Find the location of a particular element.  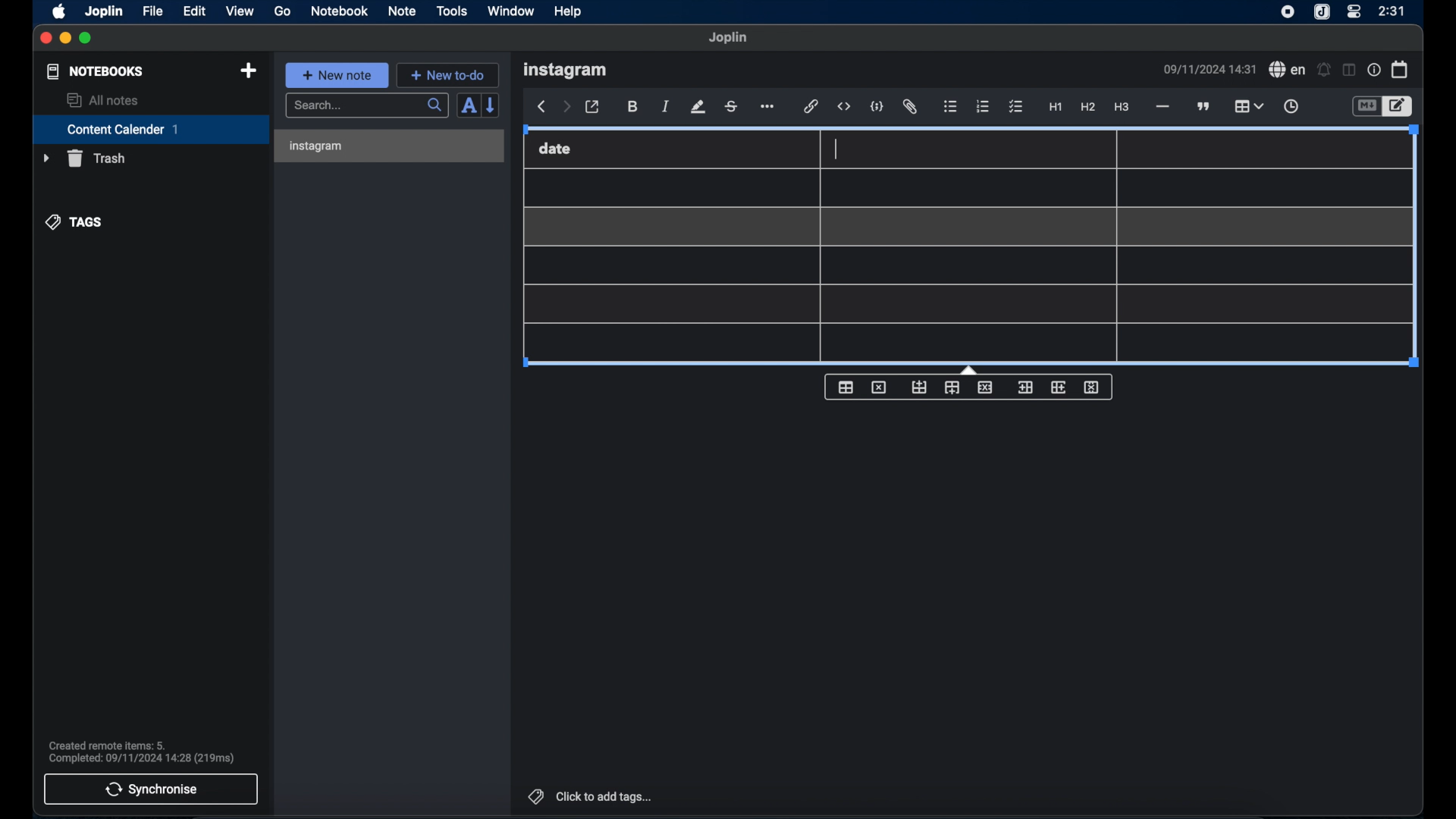

instagram is located at coordinates (318, 146).